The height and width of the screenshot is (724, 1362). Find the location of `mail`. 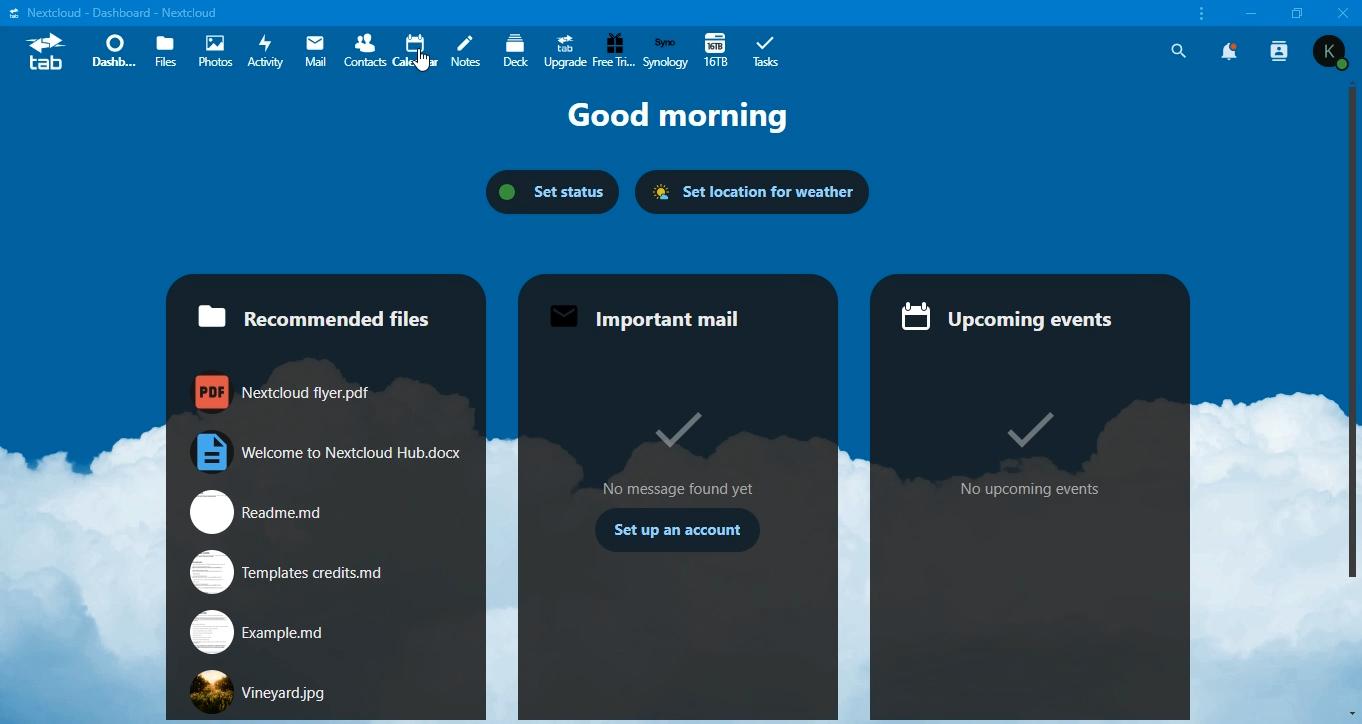

mail is located at coordinates (318, 50).